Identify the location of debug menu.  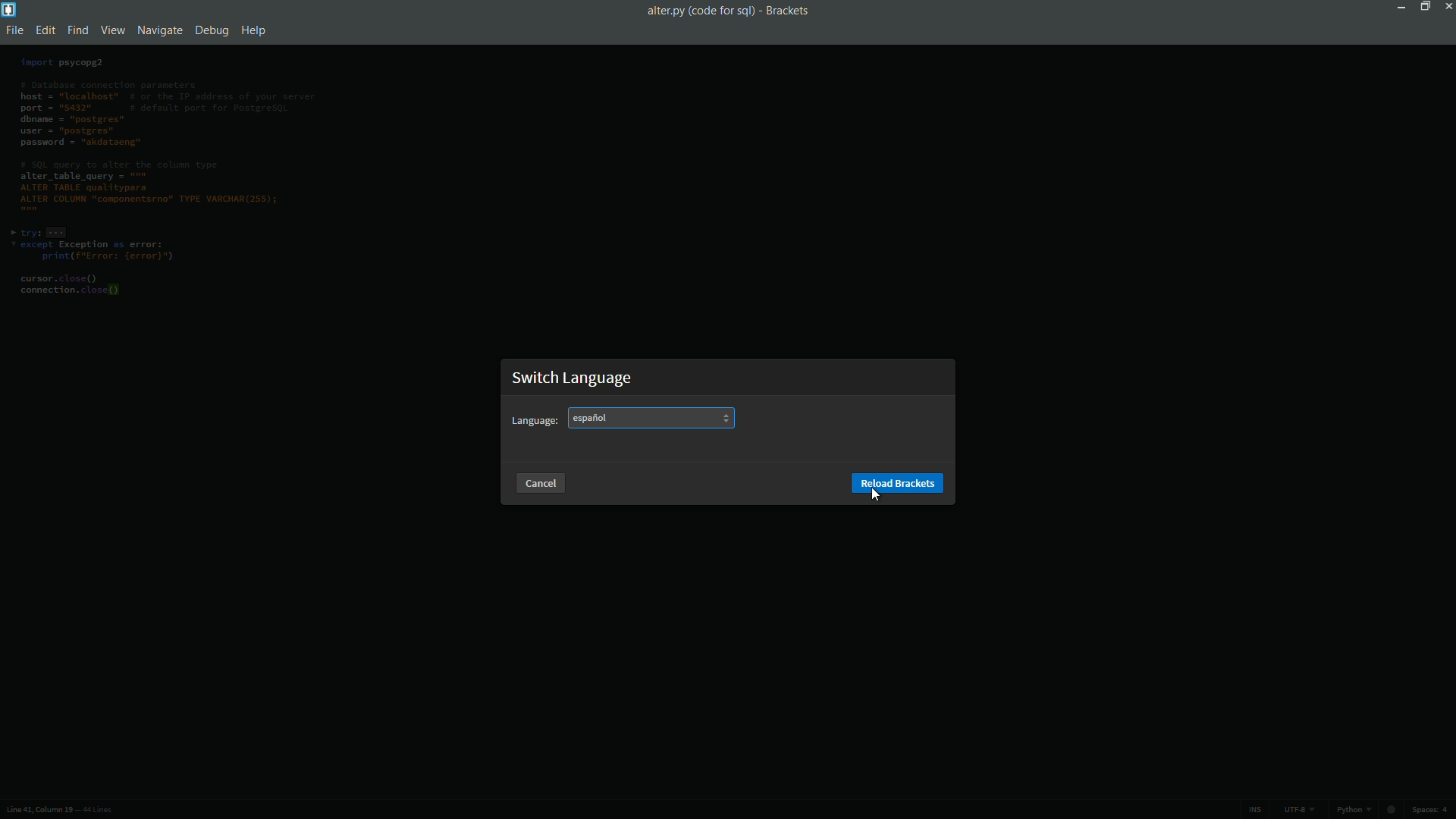
(209, 31).